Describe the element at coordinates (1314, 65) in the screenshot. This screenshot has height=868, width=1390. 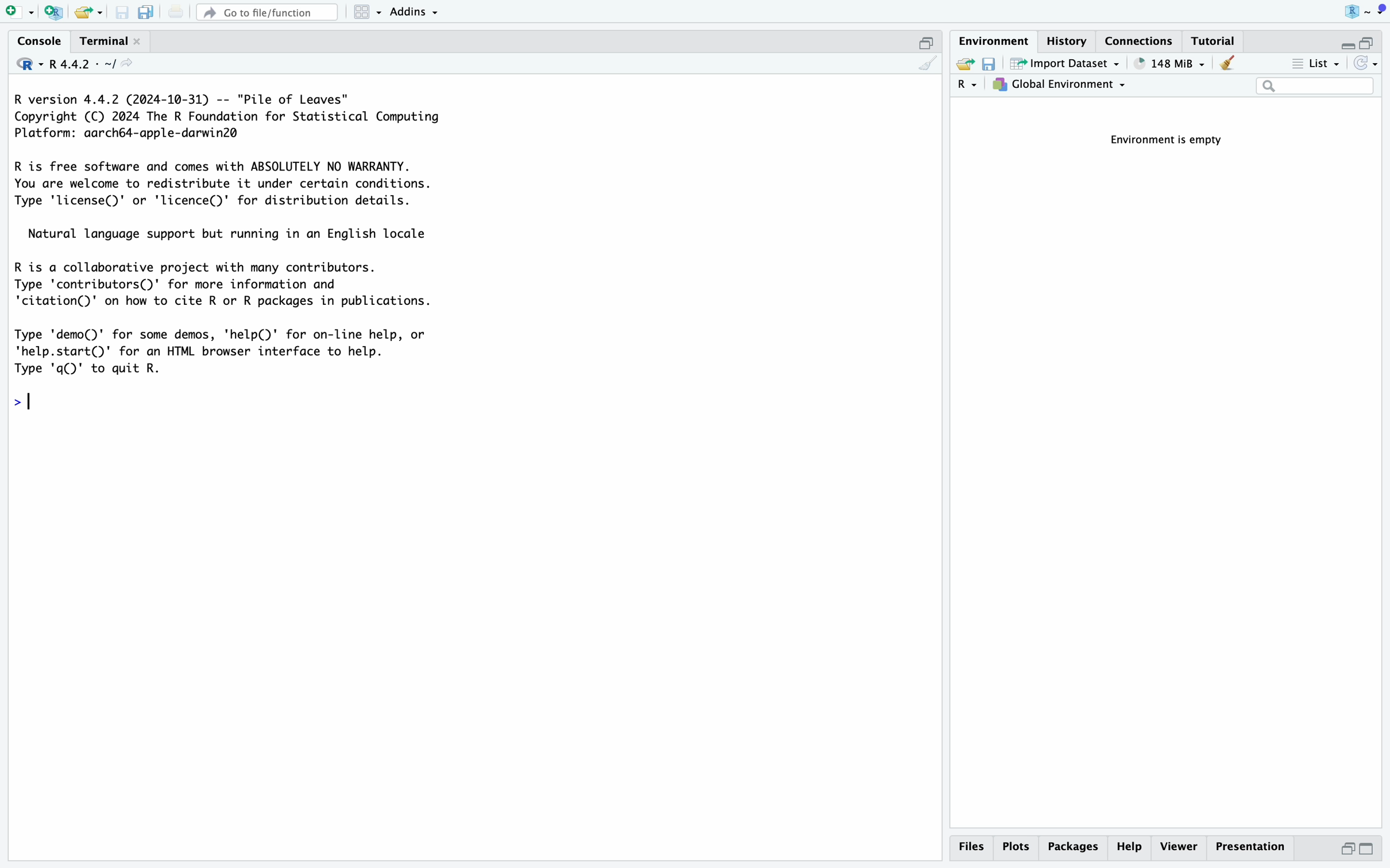
I see `list` at that location.